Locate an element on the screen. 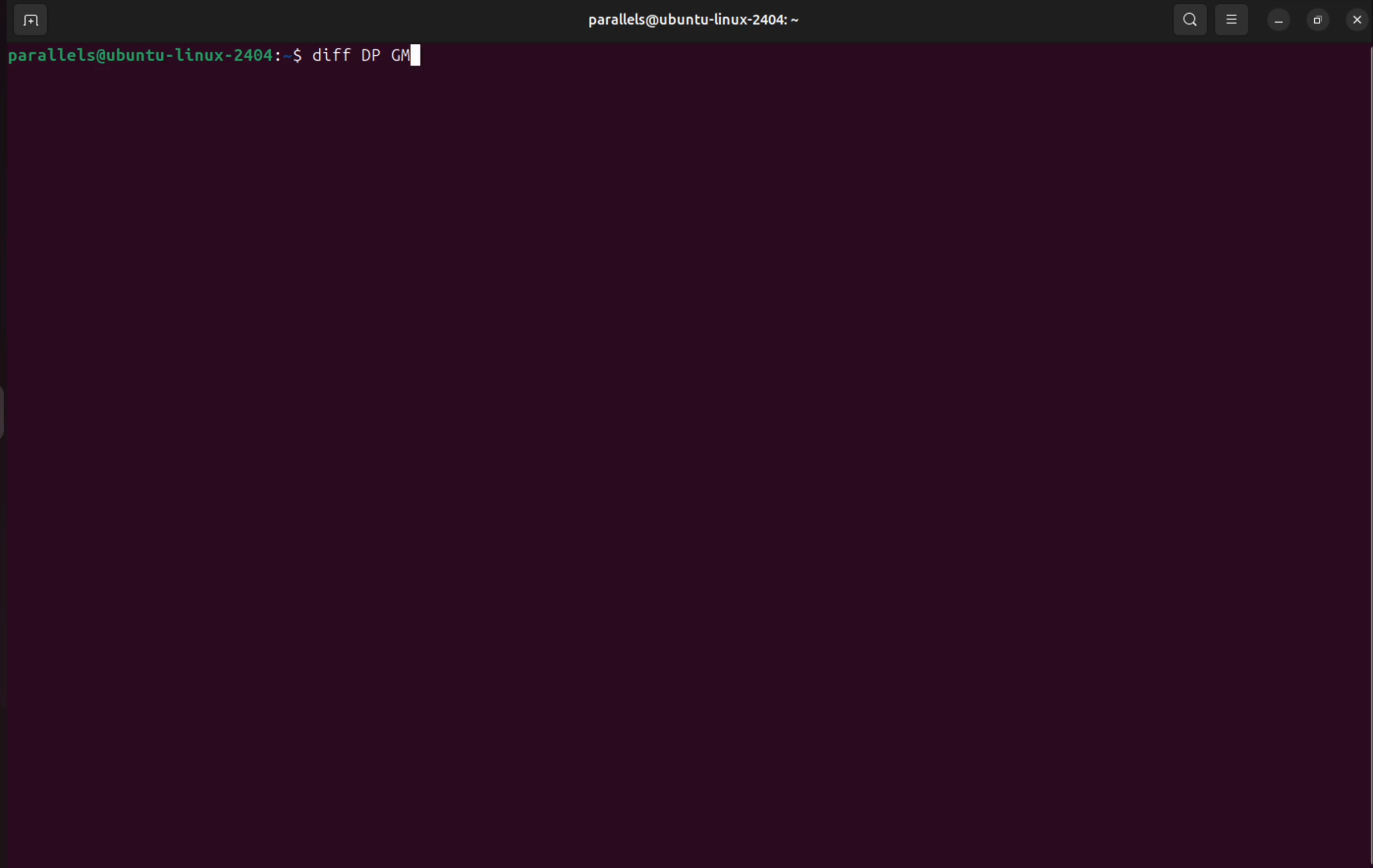  resize is located at coordinates (1320, 21).